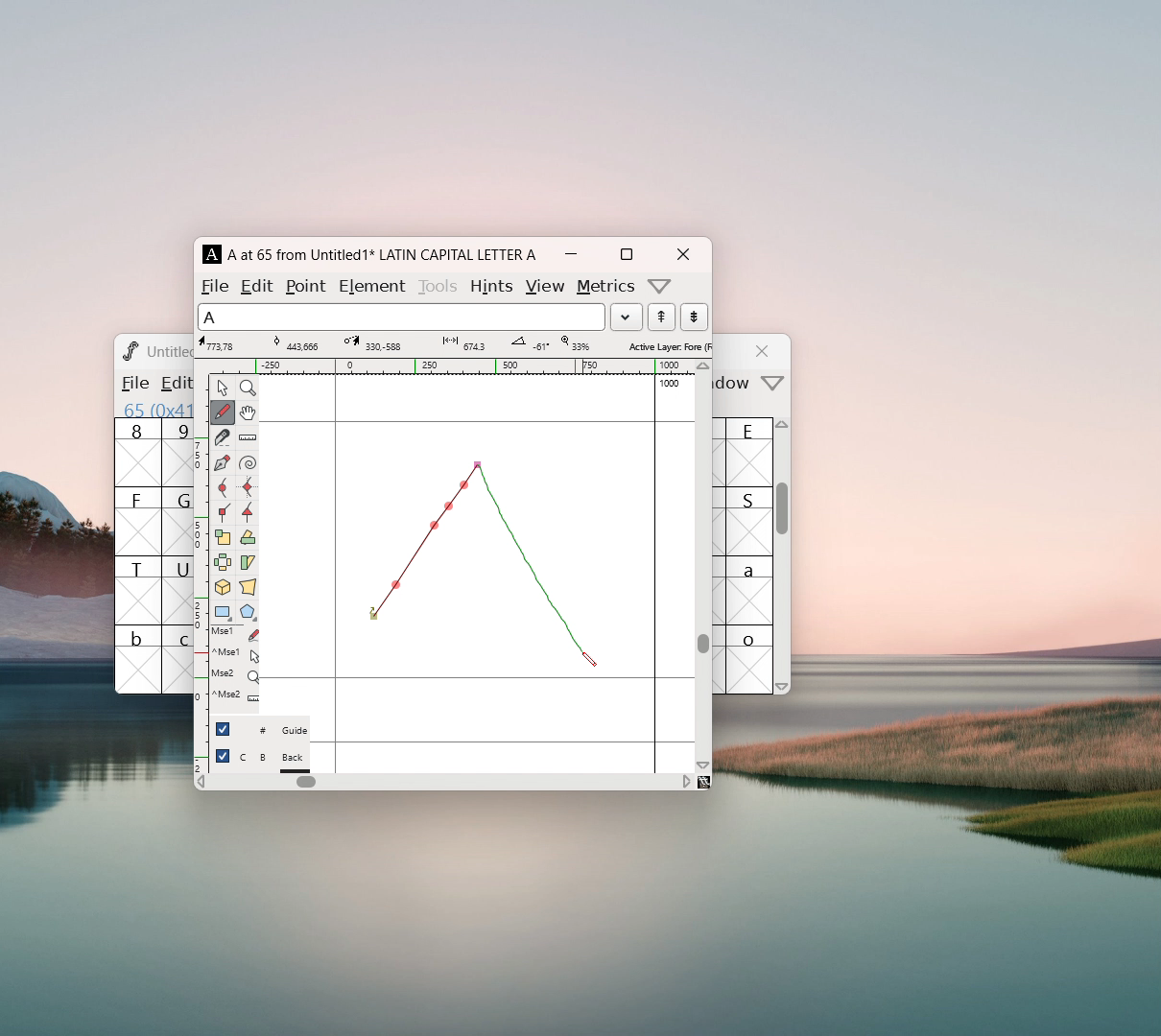  I want to click on Untitled? Untitled1.sfd (1508859-1), so click(170, 351).